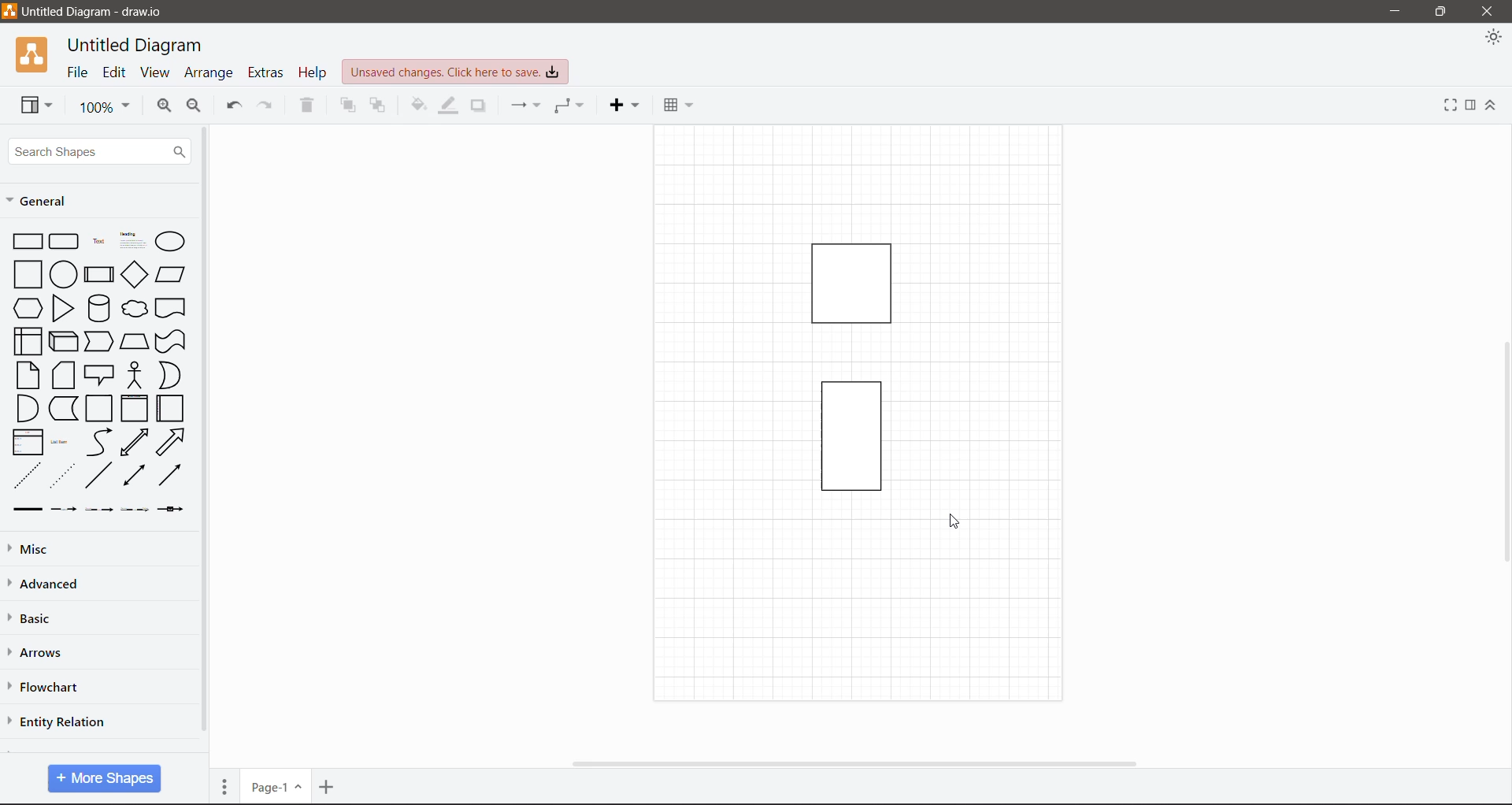 Image resolution: width=1512 pixels, height=805 pixels. I want to click on Insert Page, so click(328, 786).